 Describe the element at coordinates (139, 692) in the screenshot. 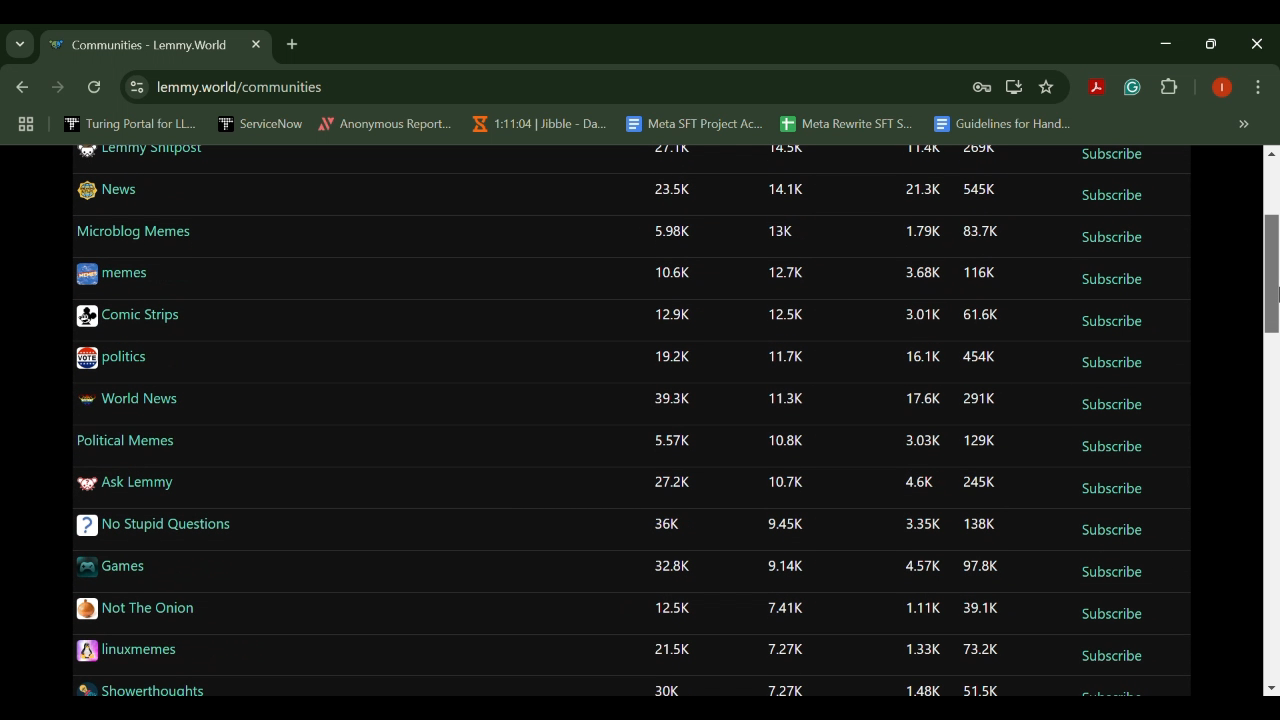

I see `Showerthoughts` at that location.